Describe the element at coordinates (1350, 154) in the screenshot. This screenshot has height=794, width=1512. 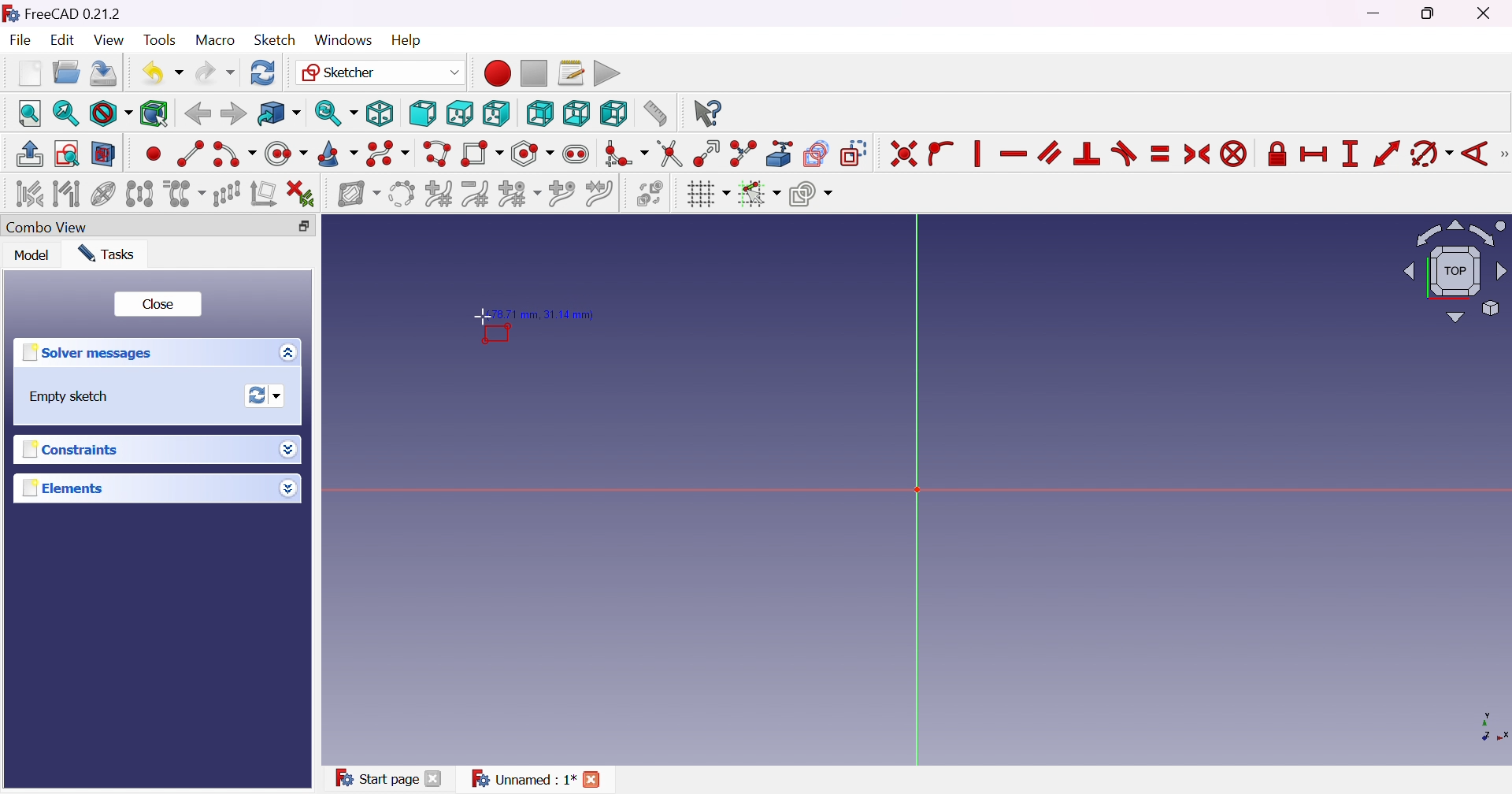
I see `Constrain vertical distance` at that location.